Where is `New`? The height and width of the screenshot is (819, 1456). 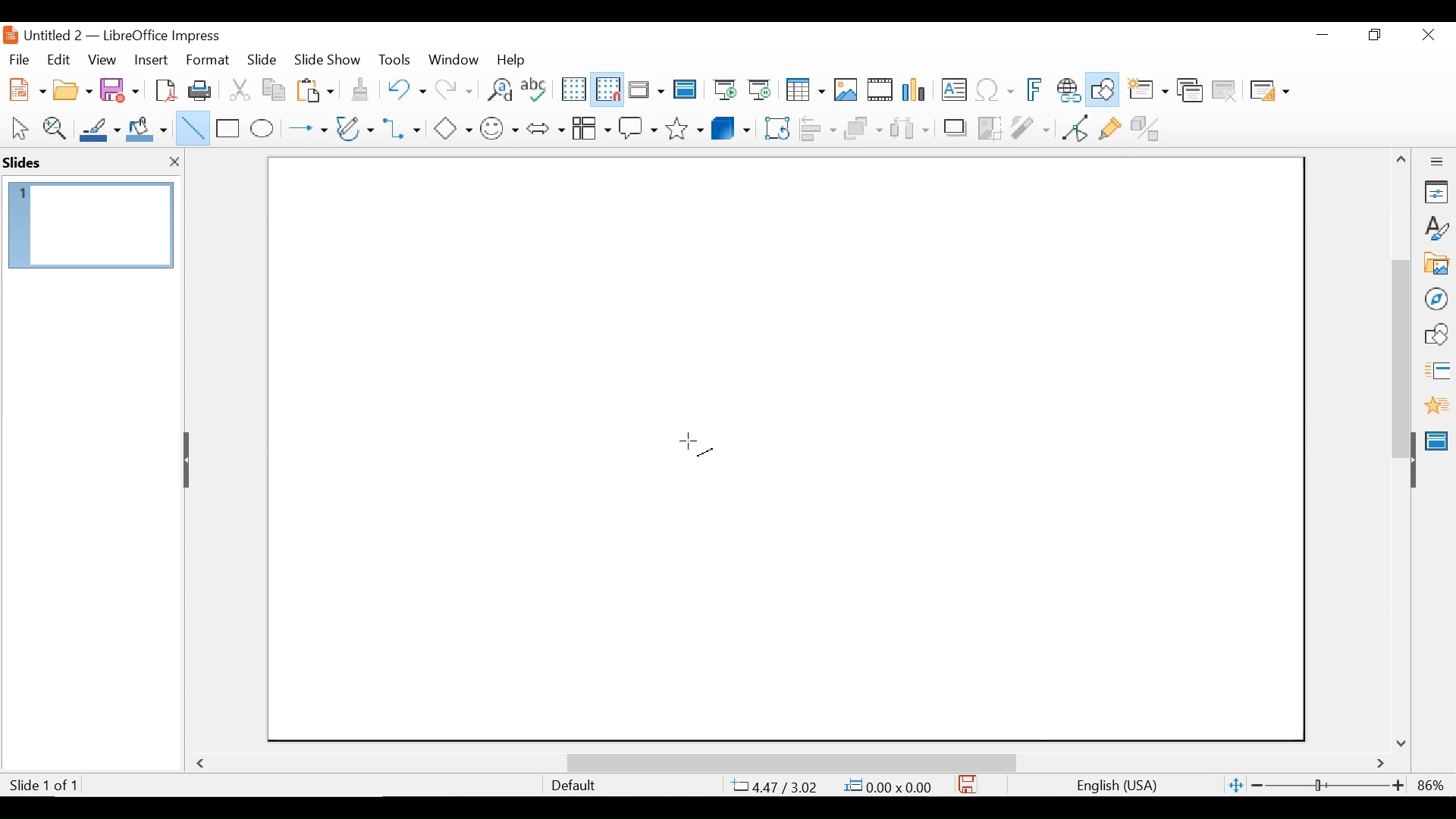 New is located at coordinates (24, 88).